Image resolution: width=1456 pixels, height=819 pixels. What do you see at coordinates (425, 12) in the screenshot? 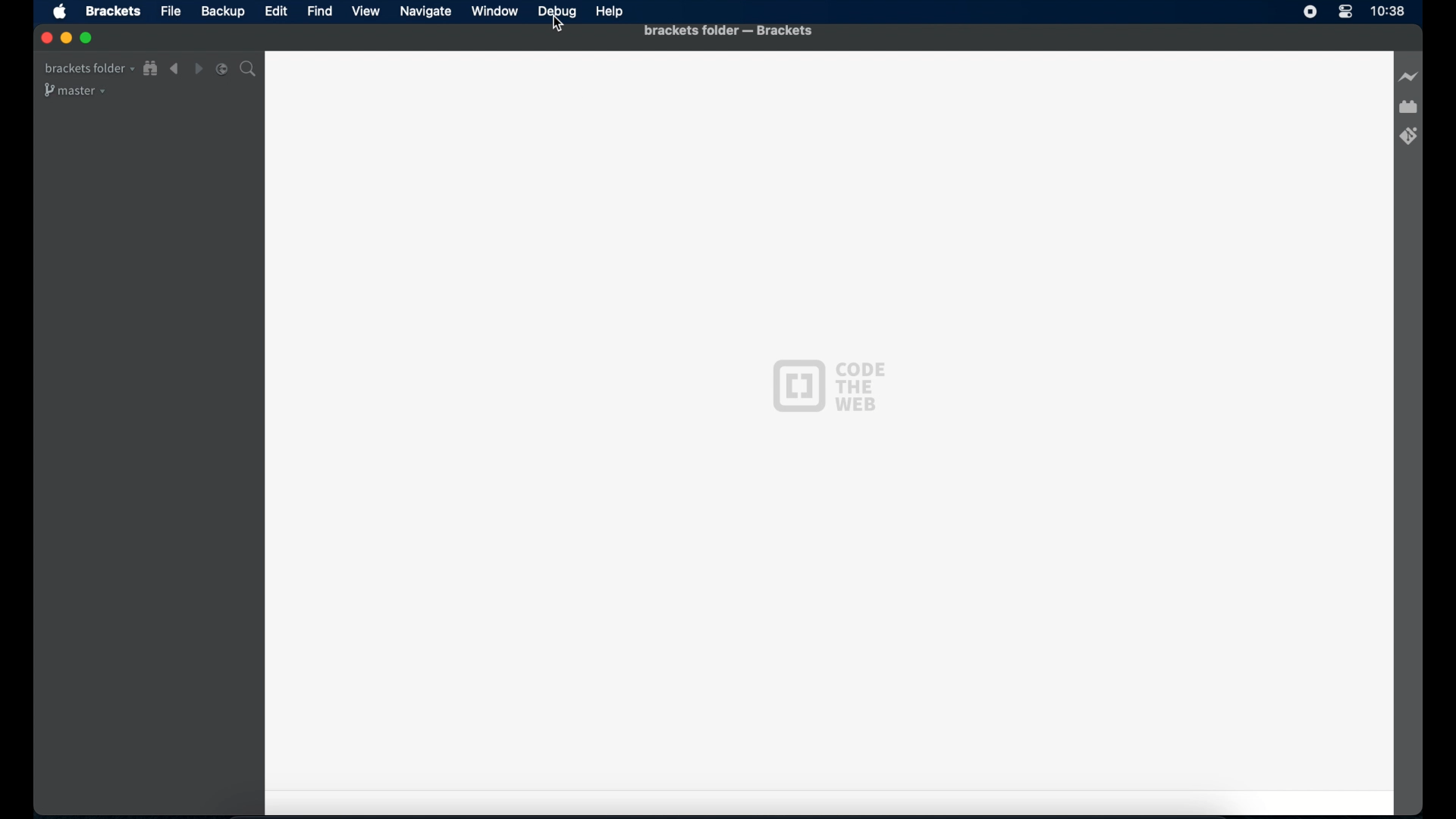
I see `navigate` at bounding box center [425, 12].